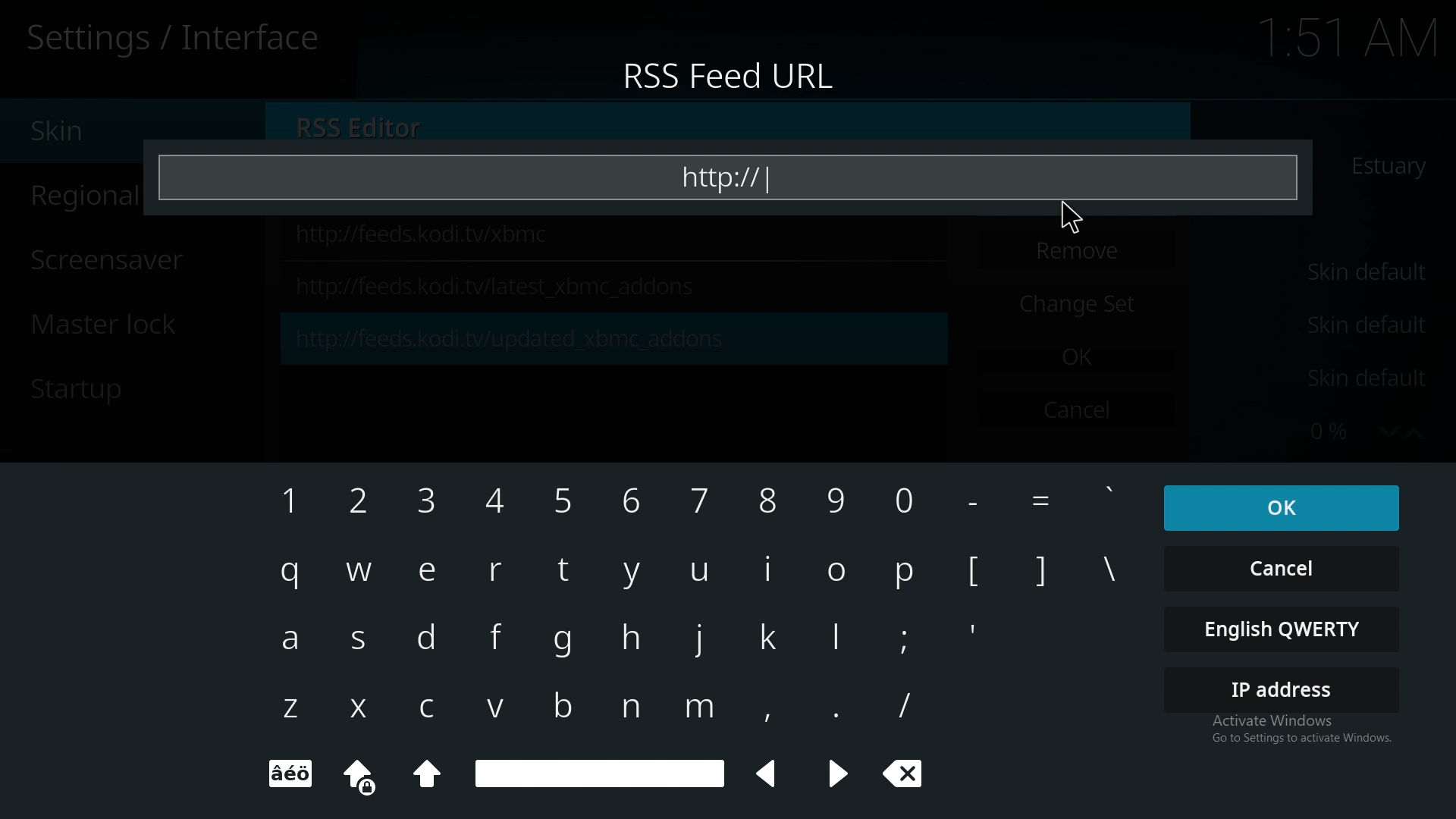 The height and width of the screenshot is (819, 1456). Describe the element at coordinates (833, 711) in the screenshot. I see `keyboard Input` at that location.